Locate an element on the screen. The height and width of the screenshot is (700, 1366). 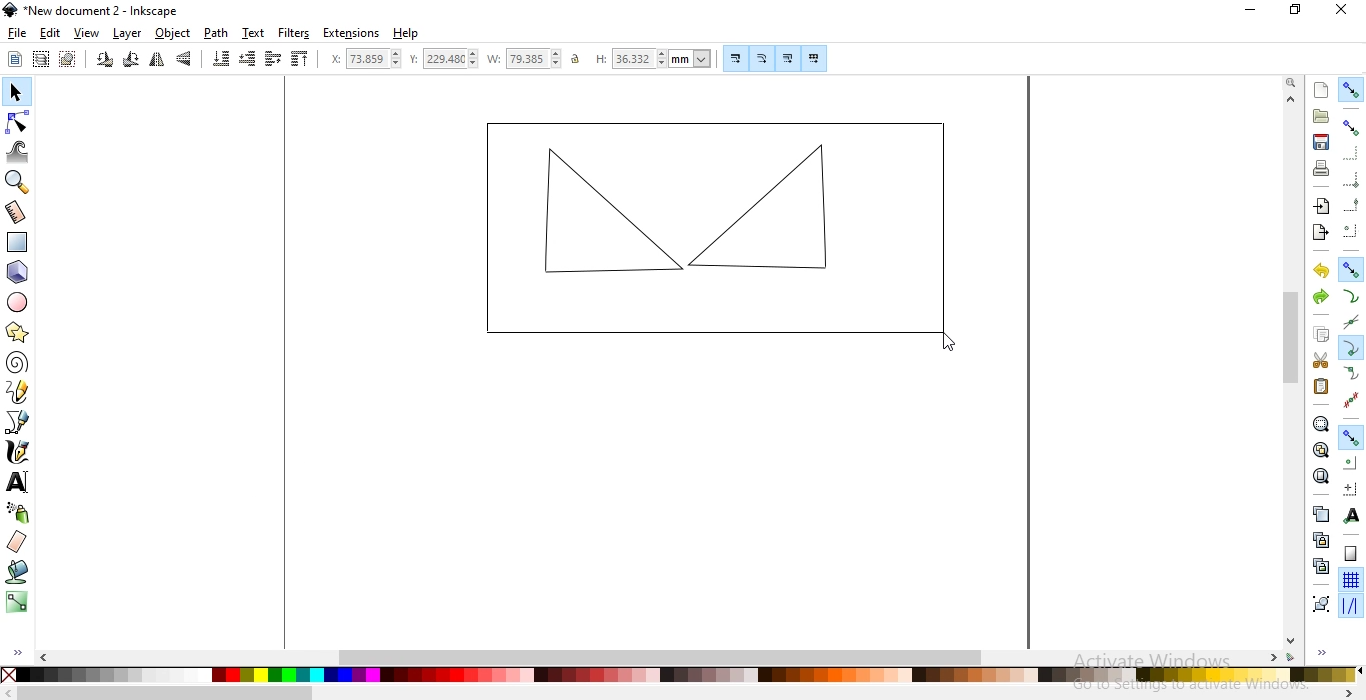
fill bounded areas is located at coordinates (17, 573).